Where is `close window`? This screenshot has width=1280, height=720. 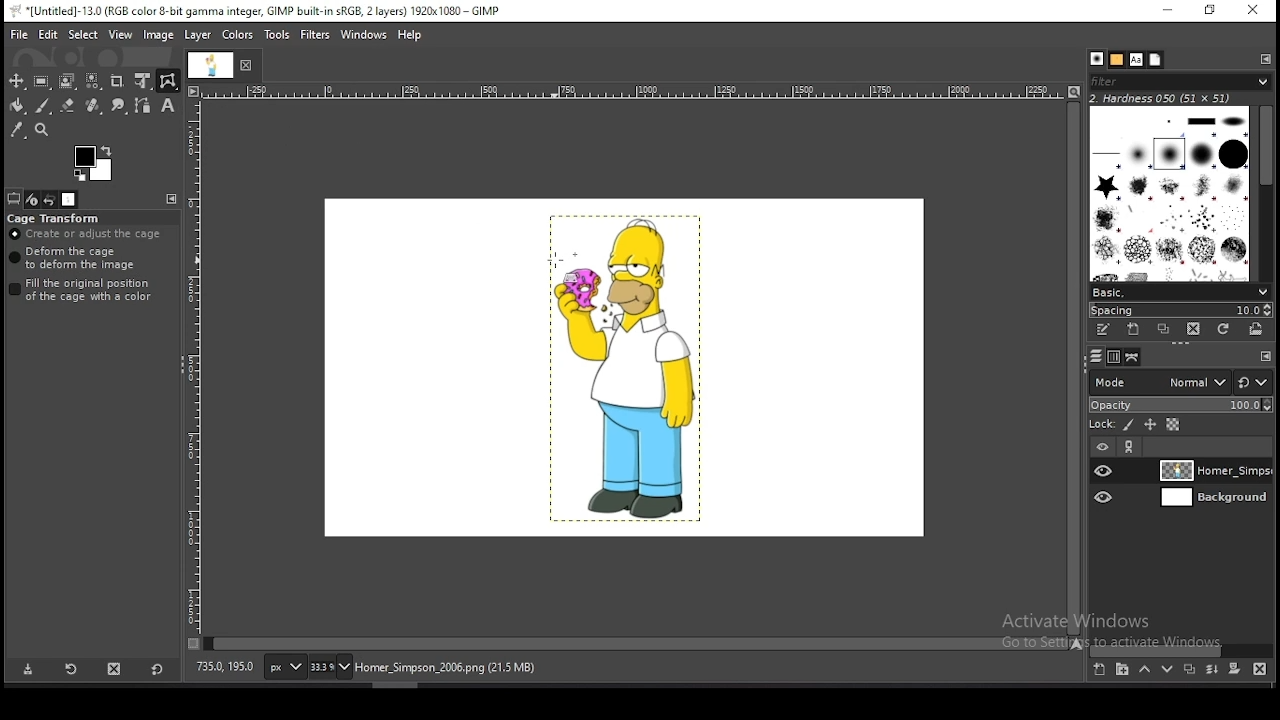 close window is located at coordinates (1252, 12).